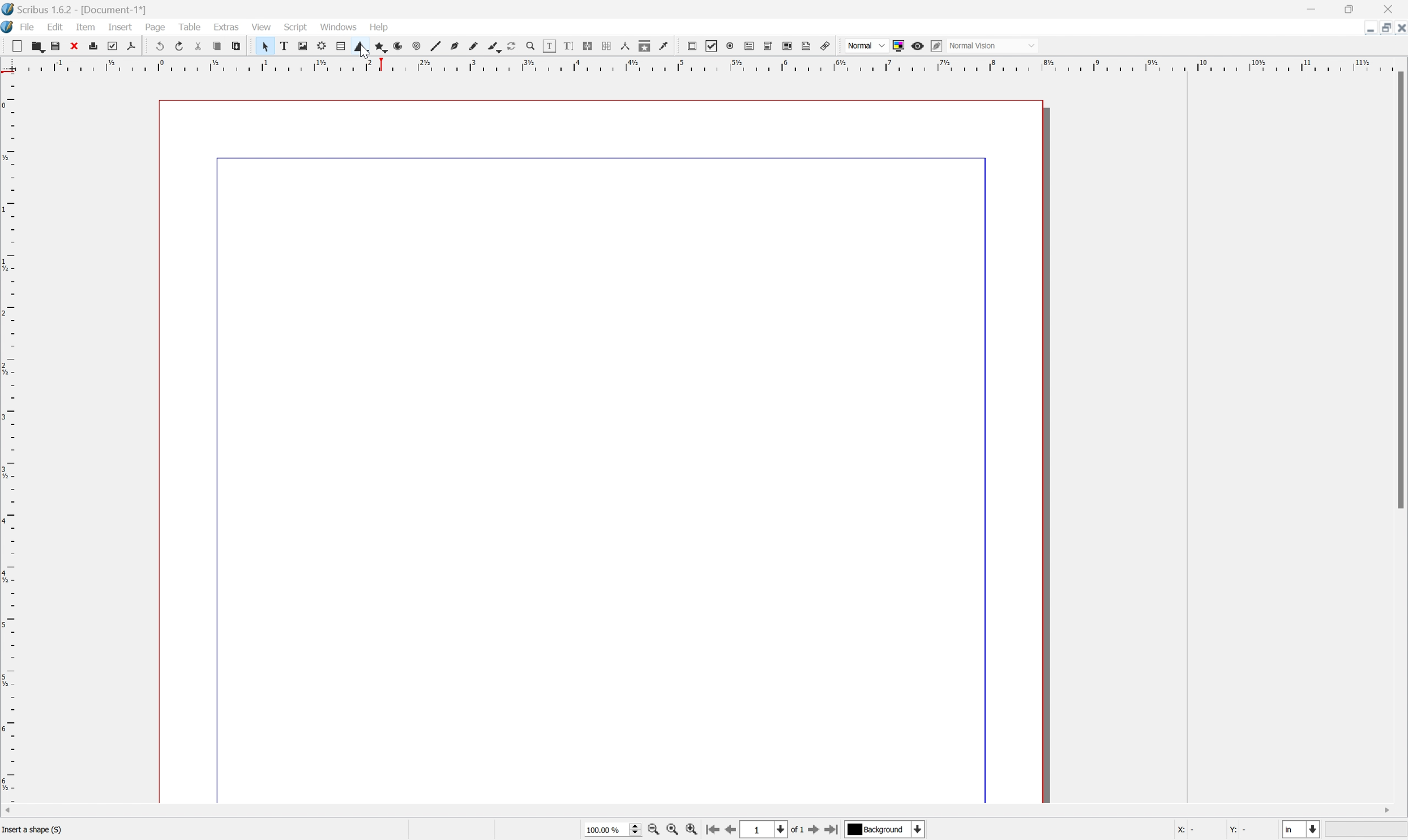  Describe the element at coordinates (606, 830) in the screenshot. I see `100.00 %` at that location.